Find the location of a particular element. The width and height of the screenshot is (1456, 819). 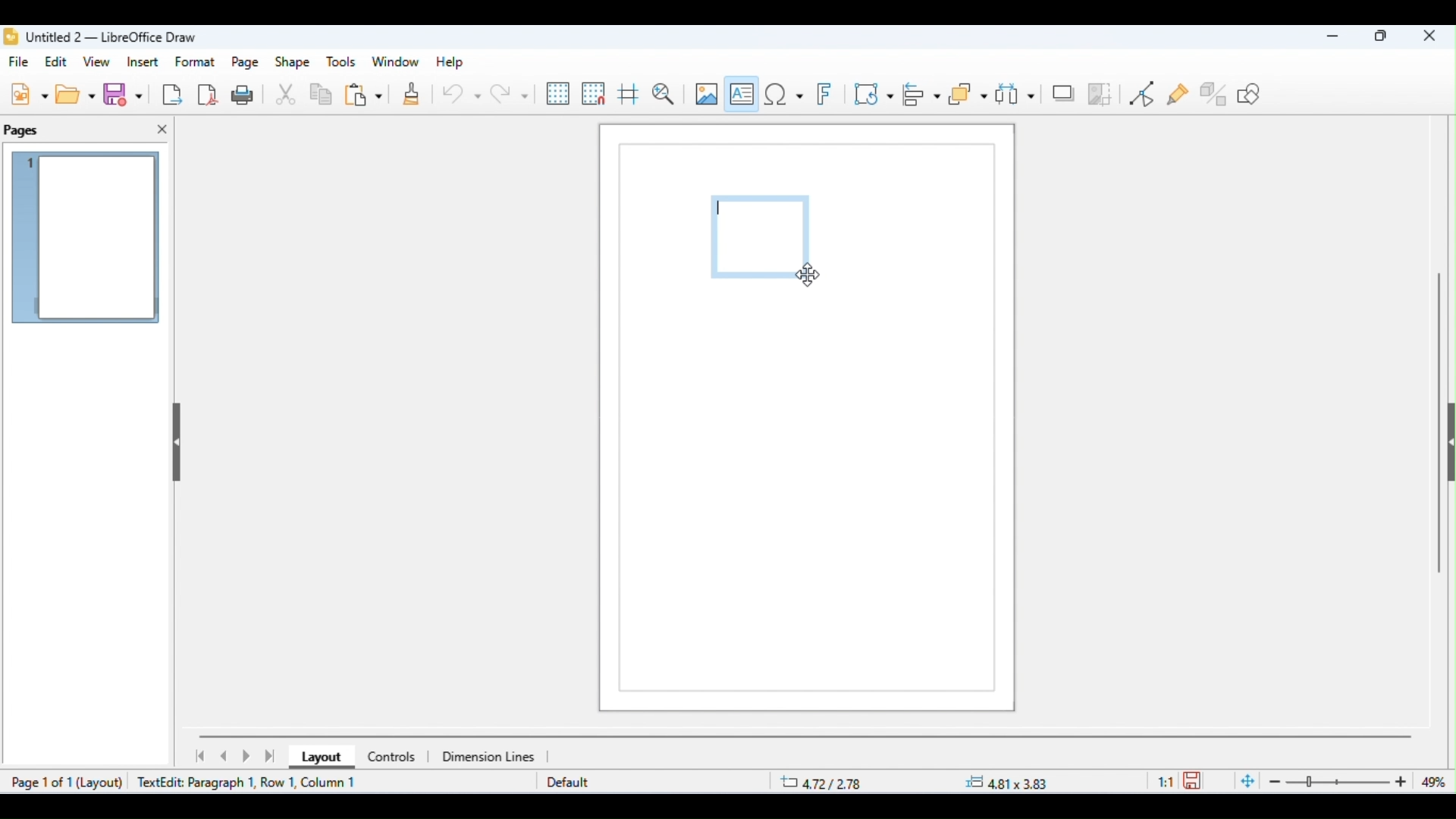

text edit paragraph 1, row1, column 1 is located at coordinates (252, 782).